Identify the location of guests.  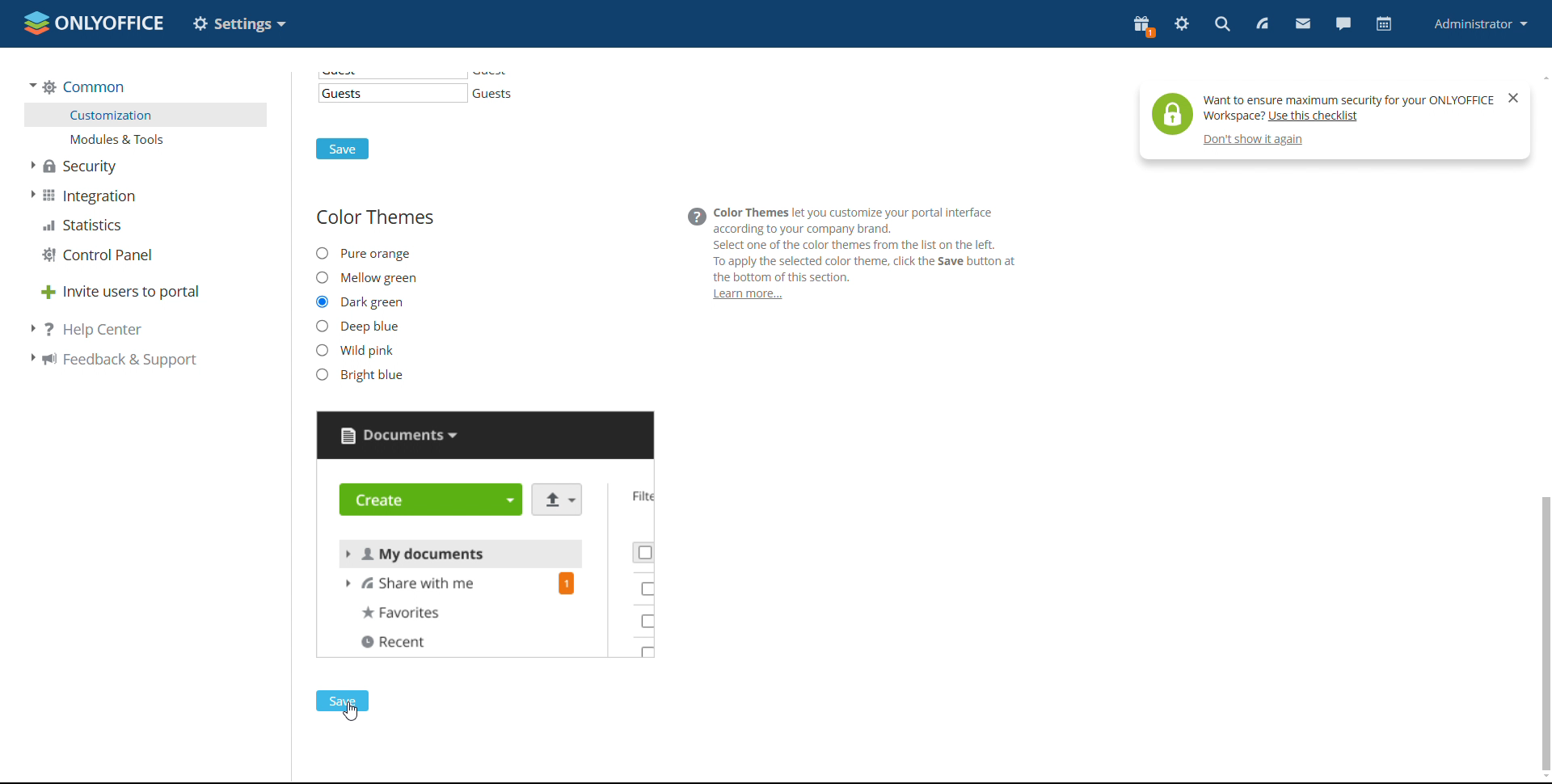
(500, 94).